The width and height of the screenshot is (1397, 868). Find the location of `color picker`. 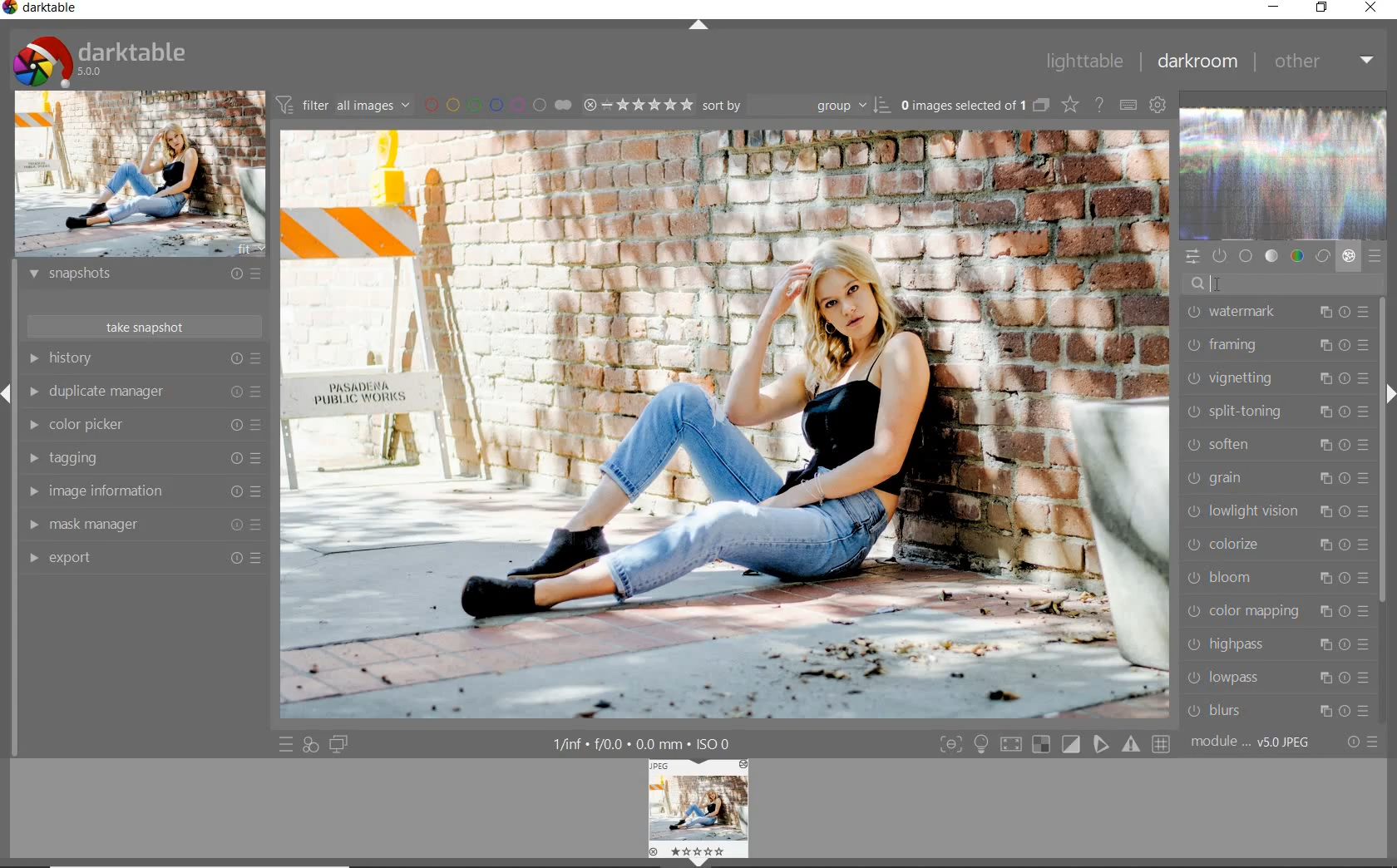

color picker is located at coordinates (146, 426).